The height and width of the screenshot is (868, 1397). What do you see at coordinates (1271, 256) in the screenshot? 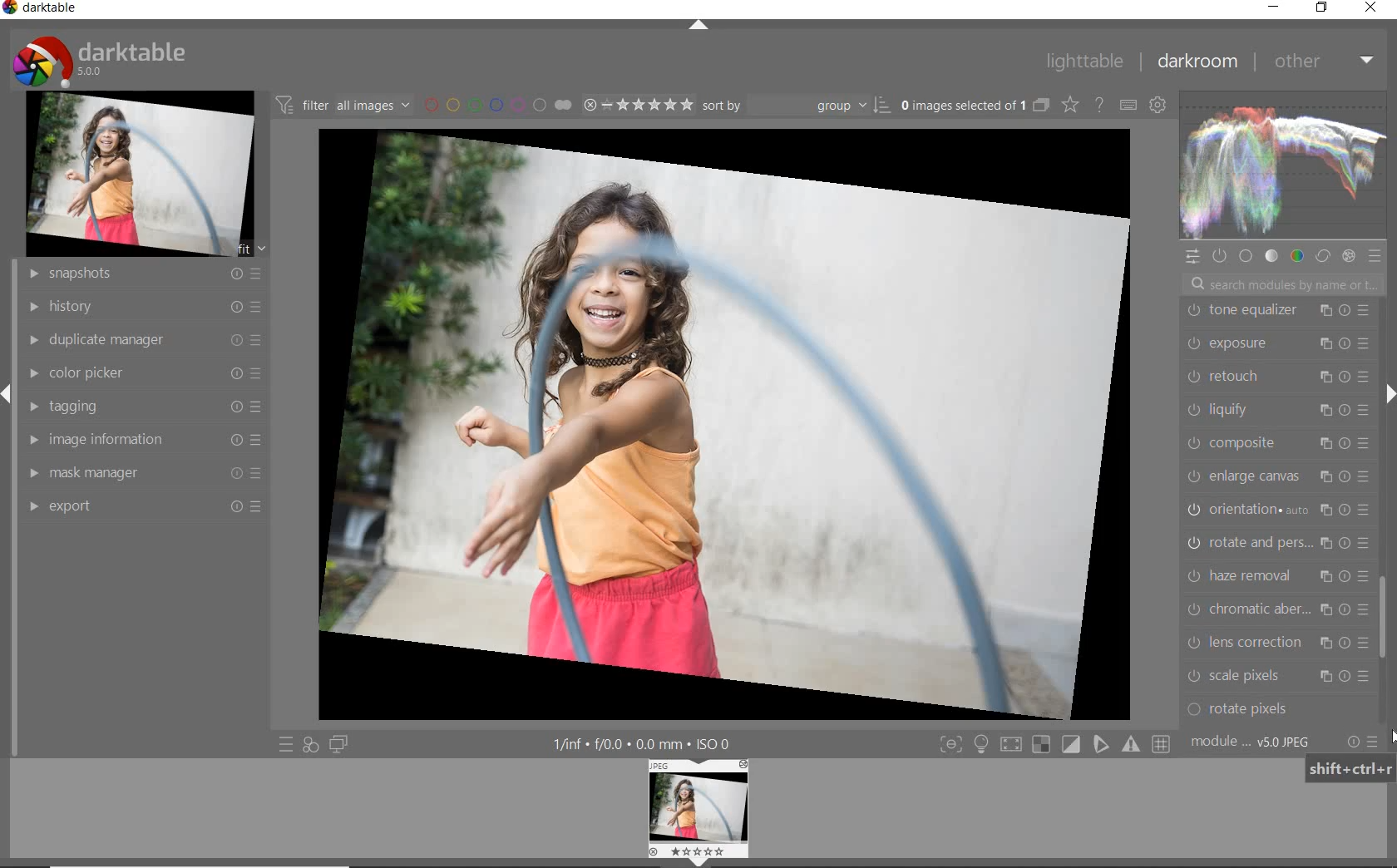
I see `tone` at bounding box center [1271, 256].